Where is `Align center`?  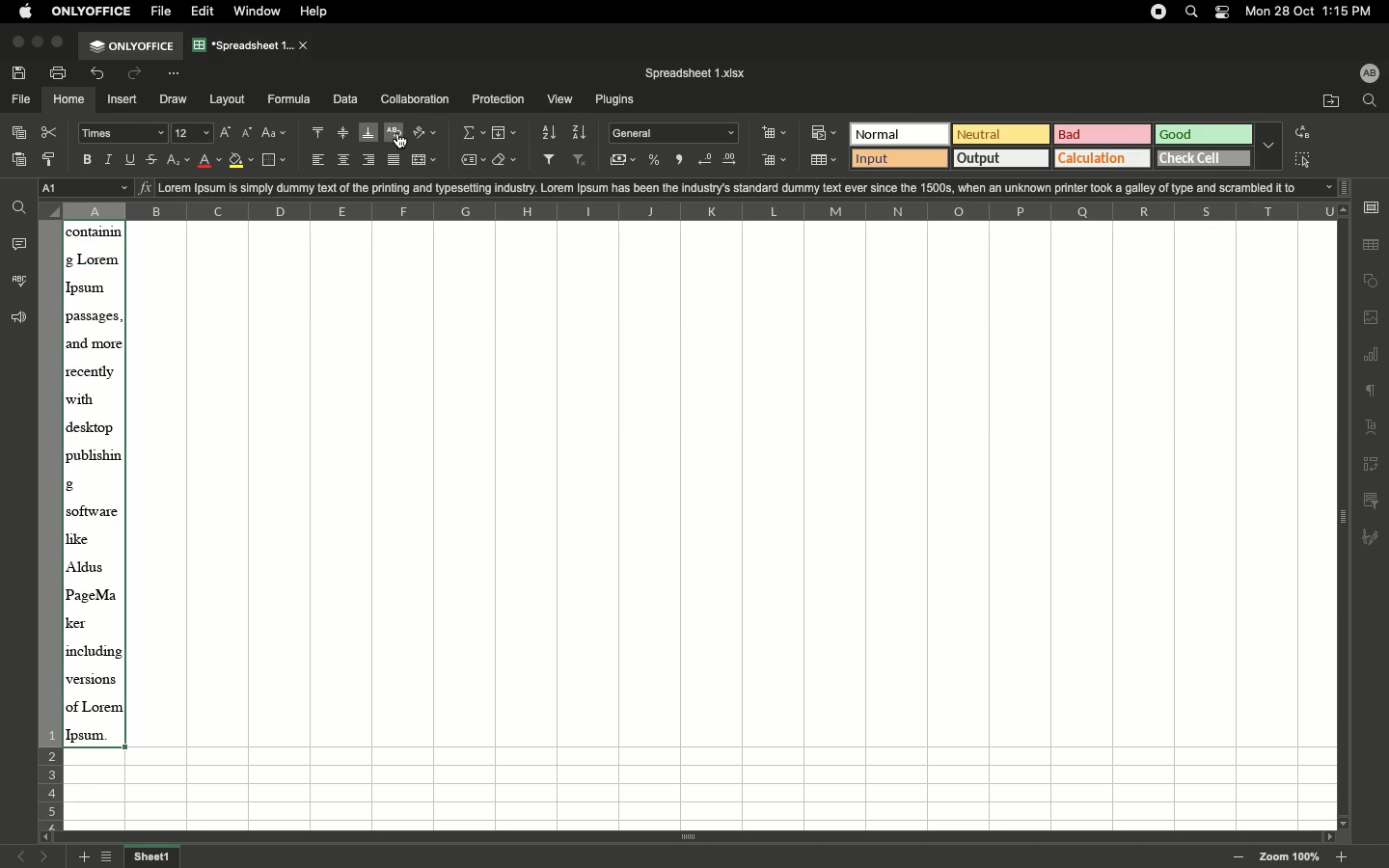 Align center is located at coordinates (345, 160).